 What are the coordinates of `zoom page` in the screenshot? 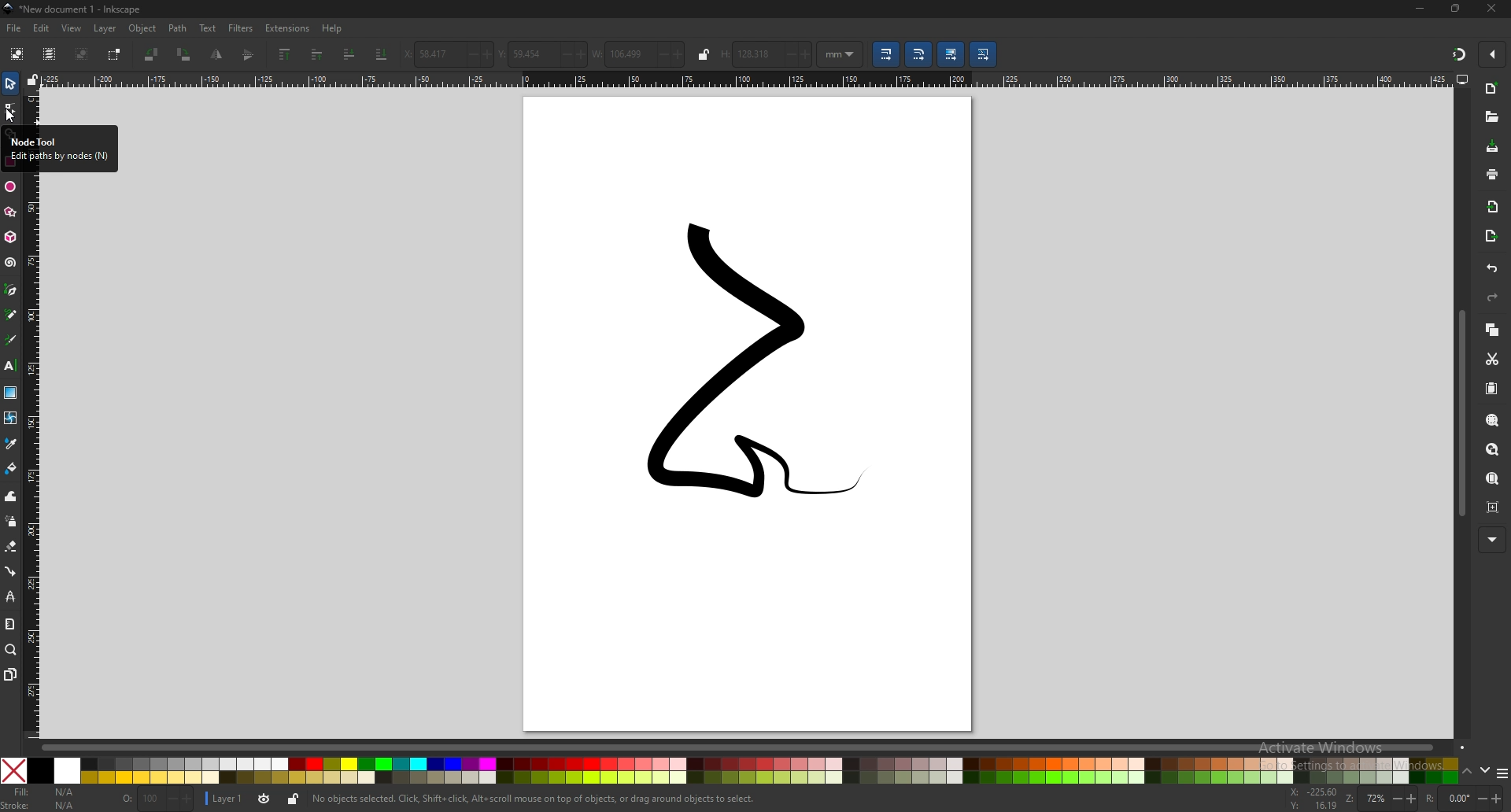 It's located at (1493, 478).